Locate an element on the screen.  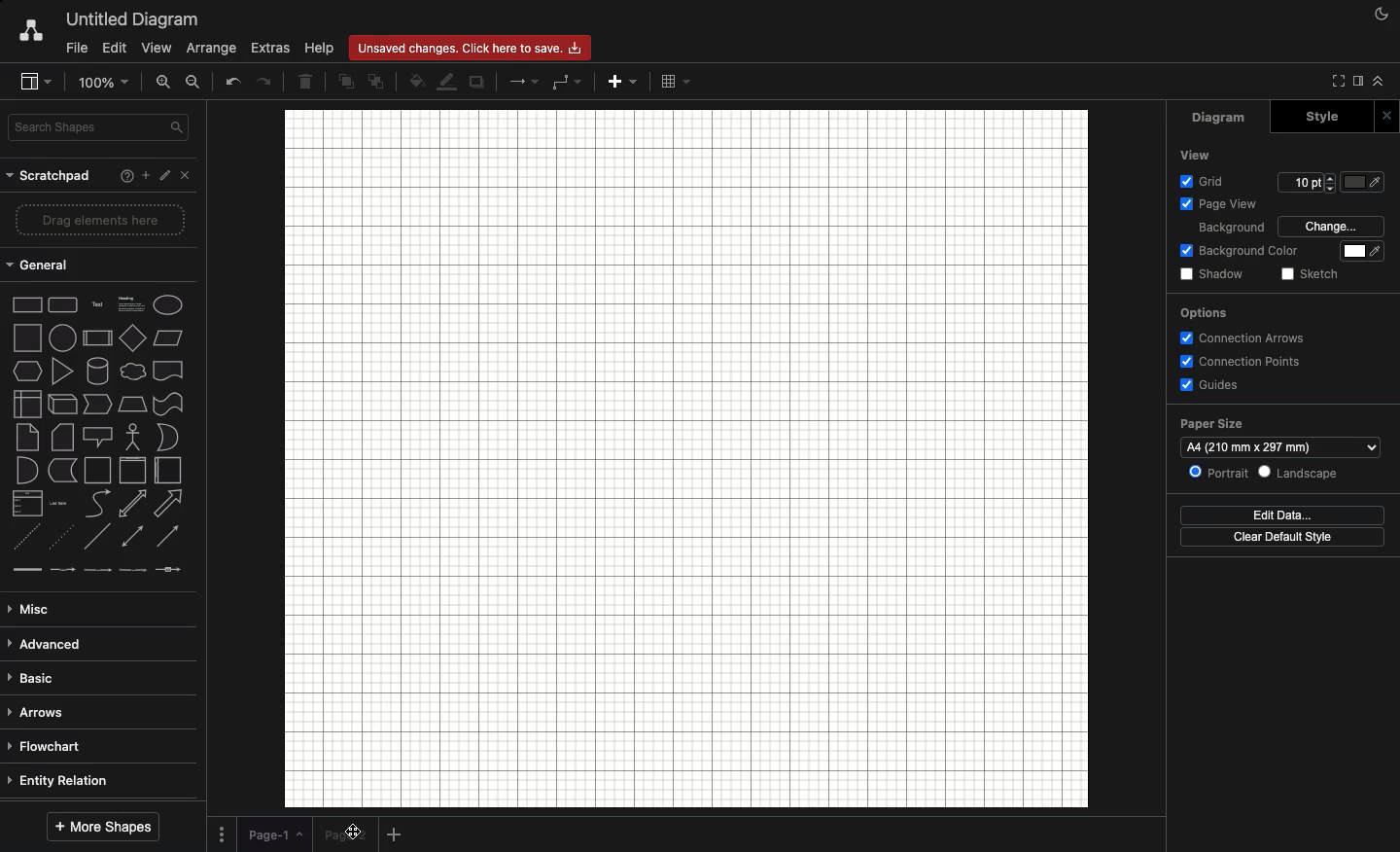
Scratchpad is located at coordinates (52, 177).